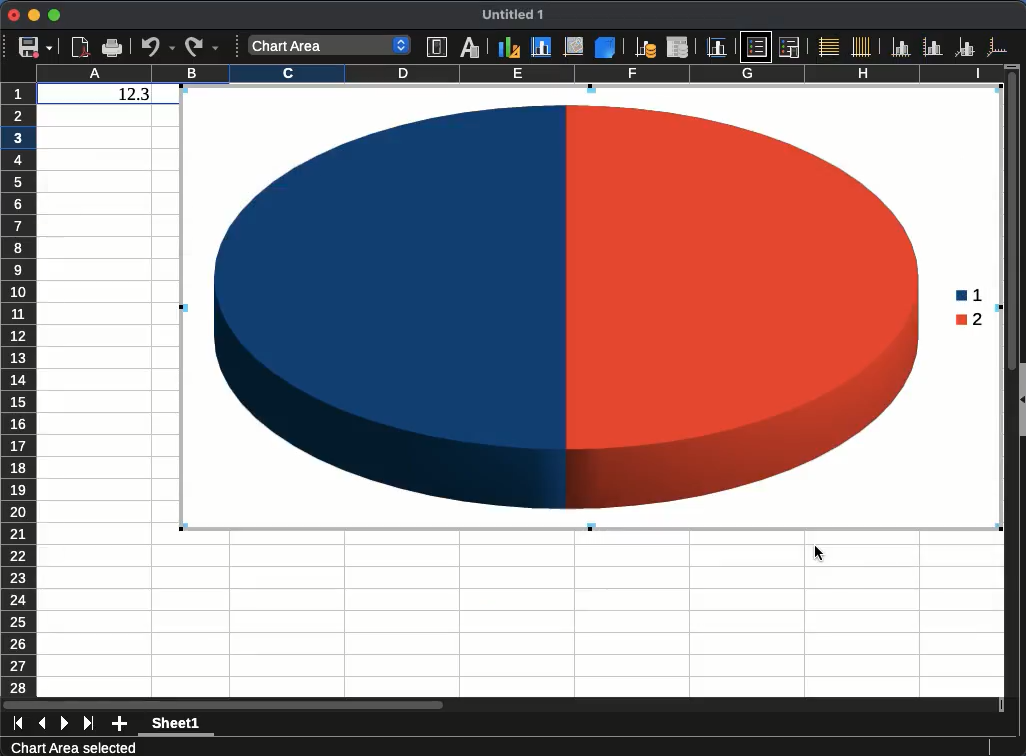 The image size is (1026, 756). I want to click on Select chart element, so click(330, 45).